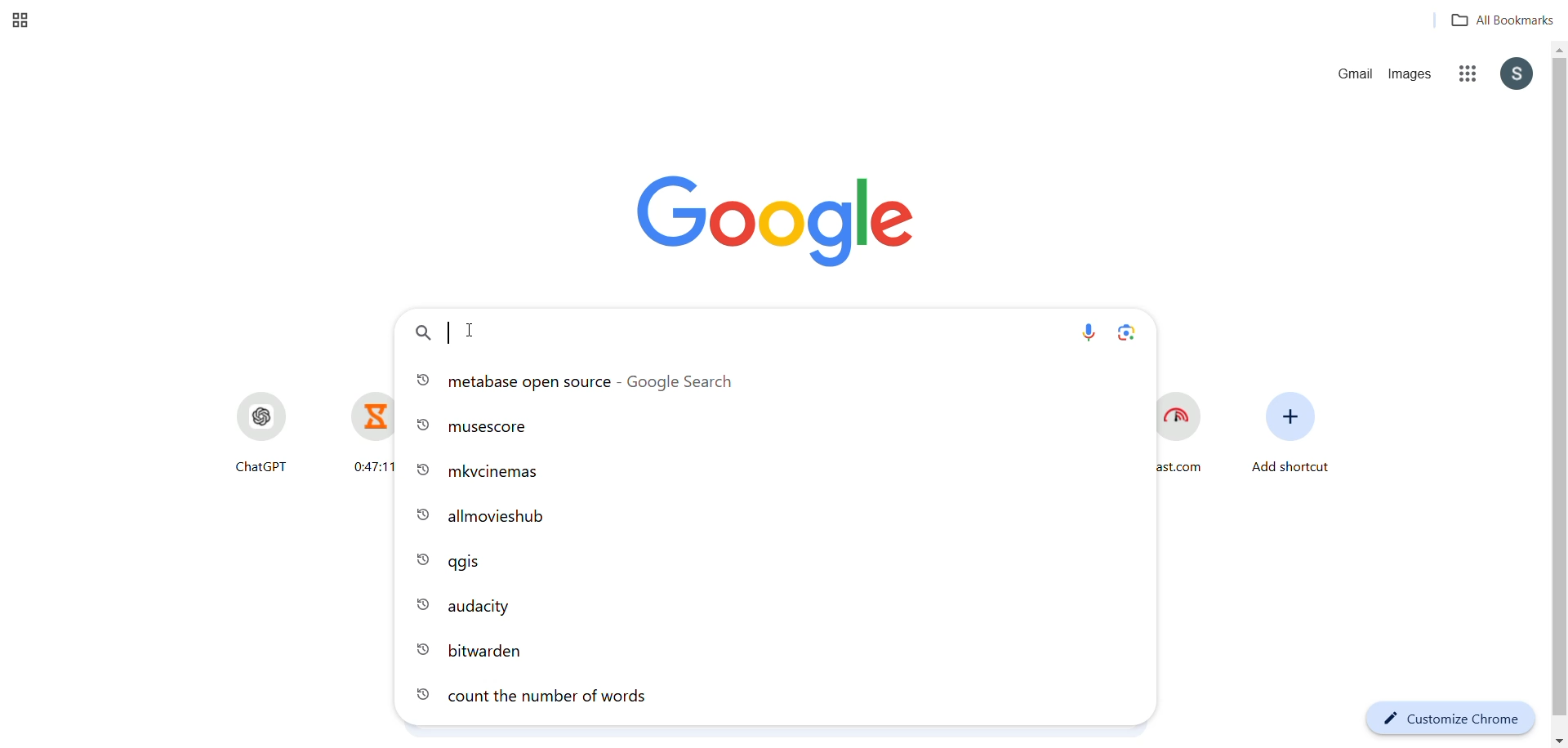 The width and height of the screenshot is (1568, 748). What do you see at coordinates (1557, 395) in the screenshot?
I see `scroll bar` at bounding box center [1557, 395].